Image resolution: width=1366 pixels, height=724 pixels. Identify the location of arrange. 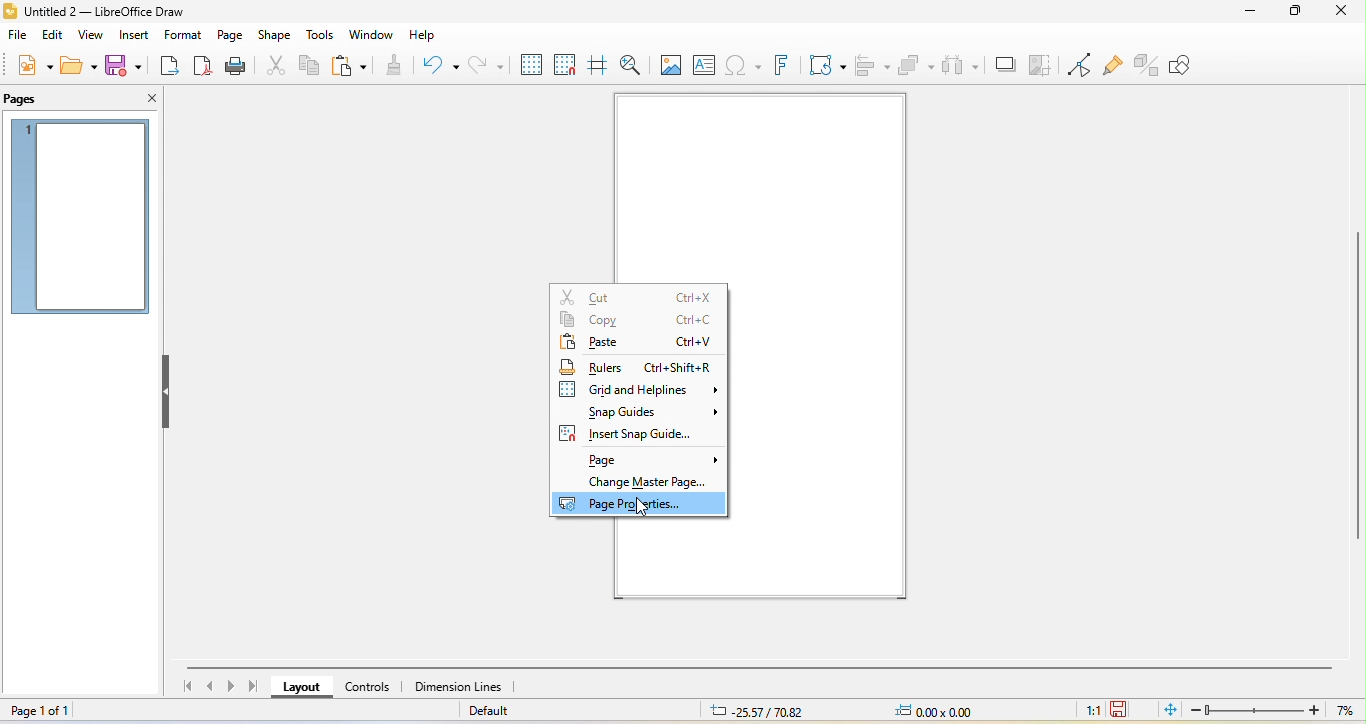
(917, 64).